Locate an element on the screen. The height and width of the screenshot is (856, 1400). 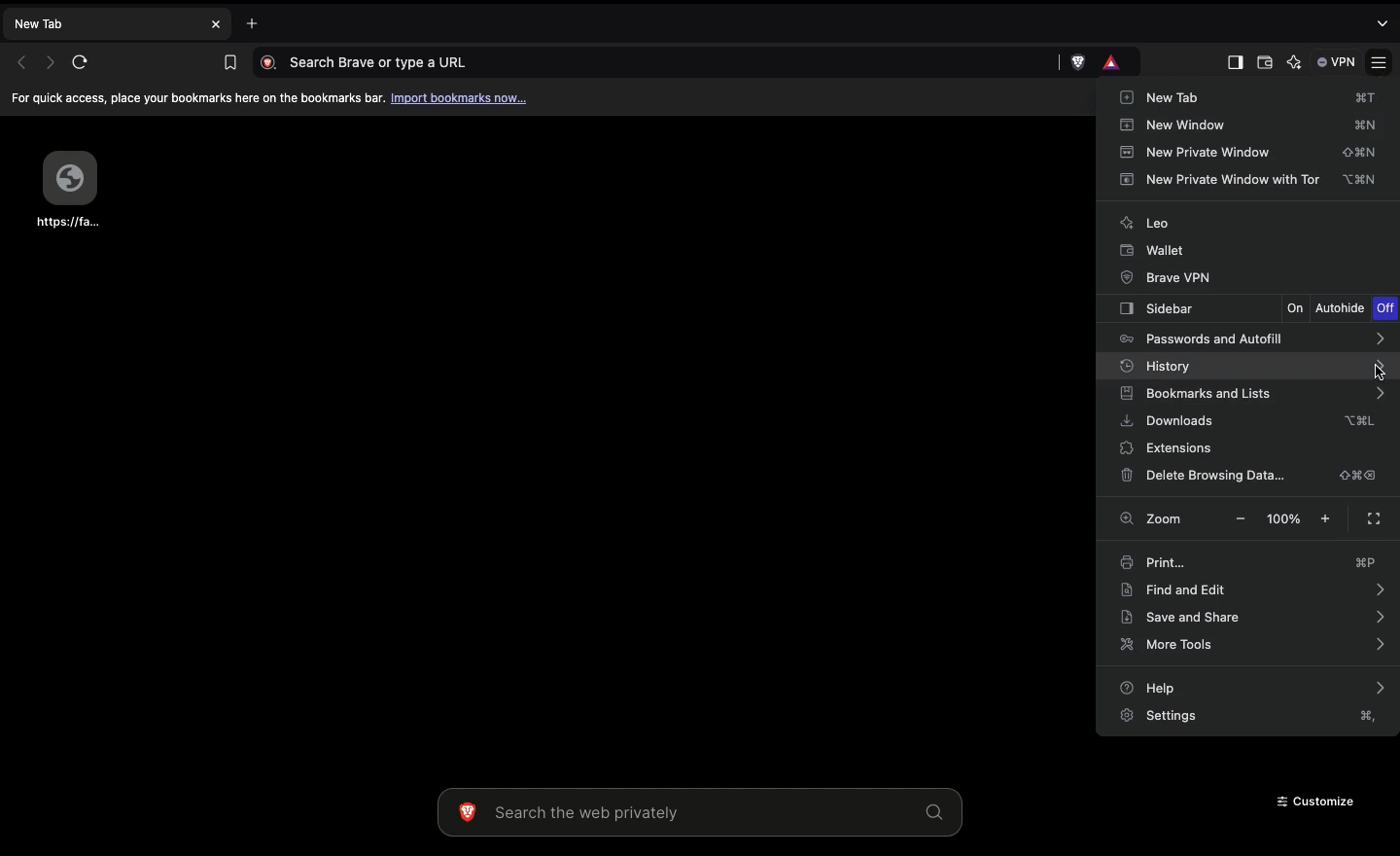
Find and edit is located at coordinates (1249, 590).